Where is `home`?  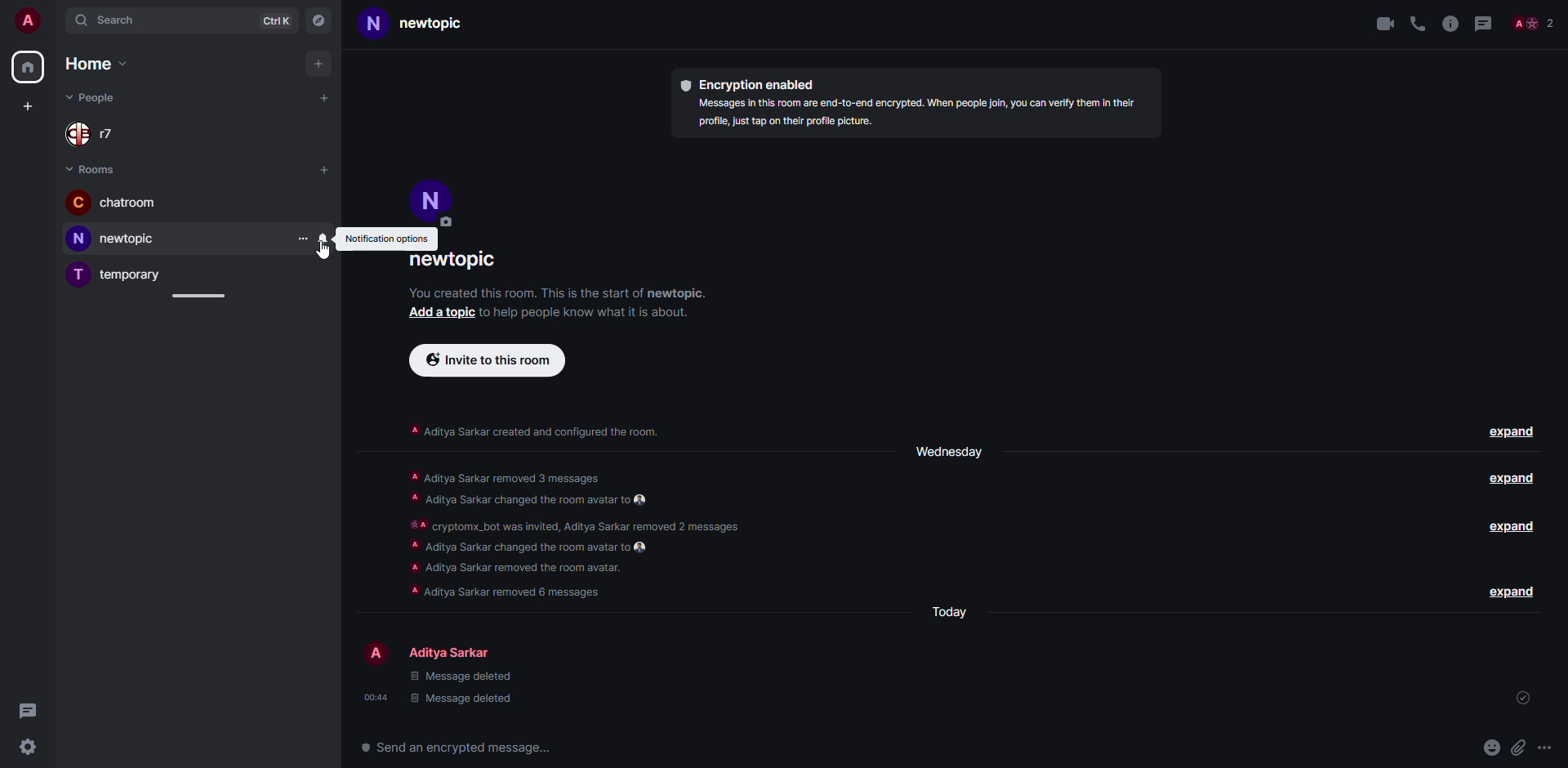 home is located at coordinates (96, 63).